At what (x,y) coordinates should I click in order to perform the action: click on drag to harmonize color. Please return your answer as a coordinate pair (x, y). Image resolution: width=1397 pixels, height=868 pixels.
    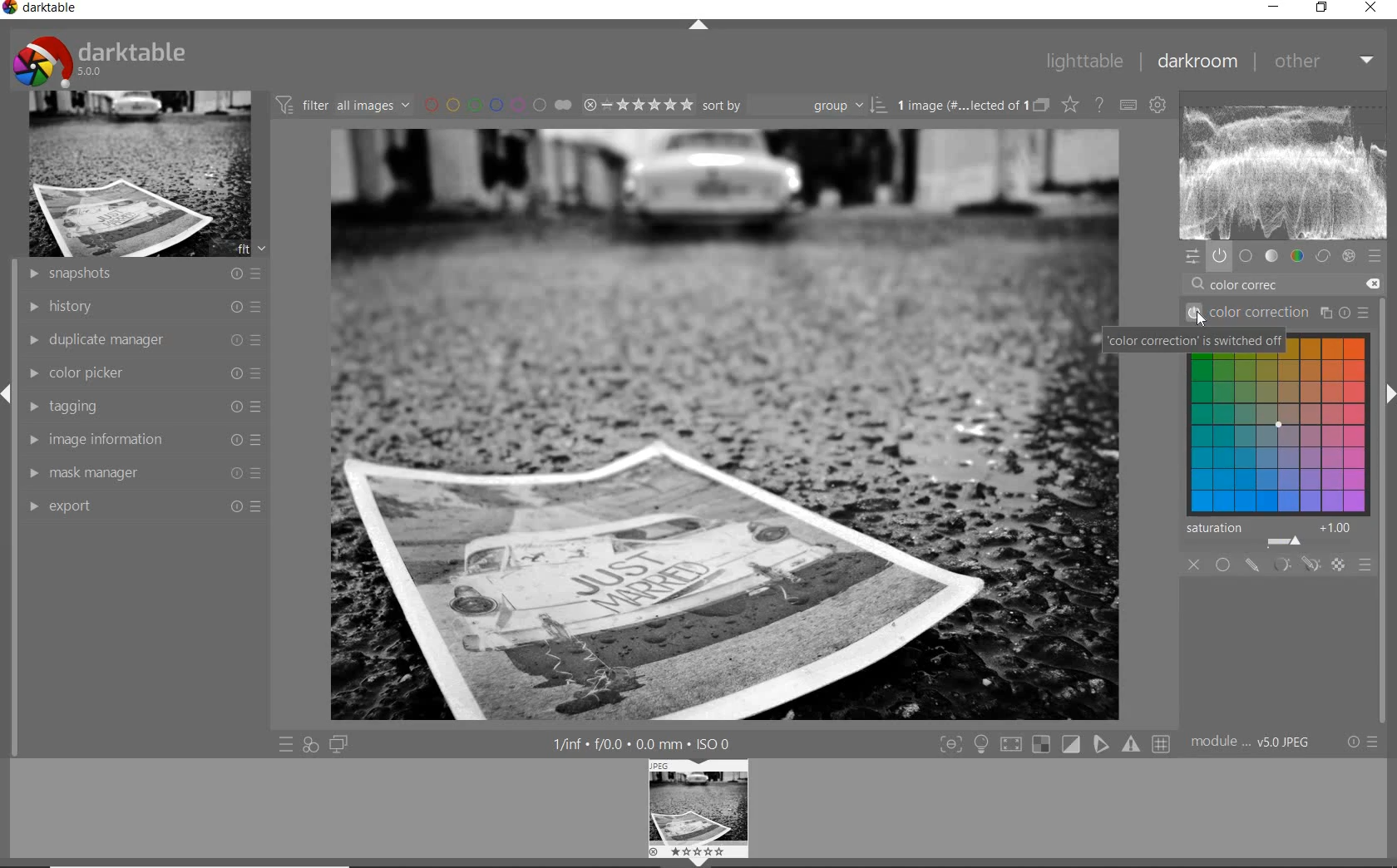
    Looking at the image, I should click on (1281, 428).